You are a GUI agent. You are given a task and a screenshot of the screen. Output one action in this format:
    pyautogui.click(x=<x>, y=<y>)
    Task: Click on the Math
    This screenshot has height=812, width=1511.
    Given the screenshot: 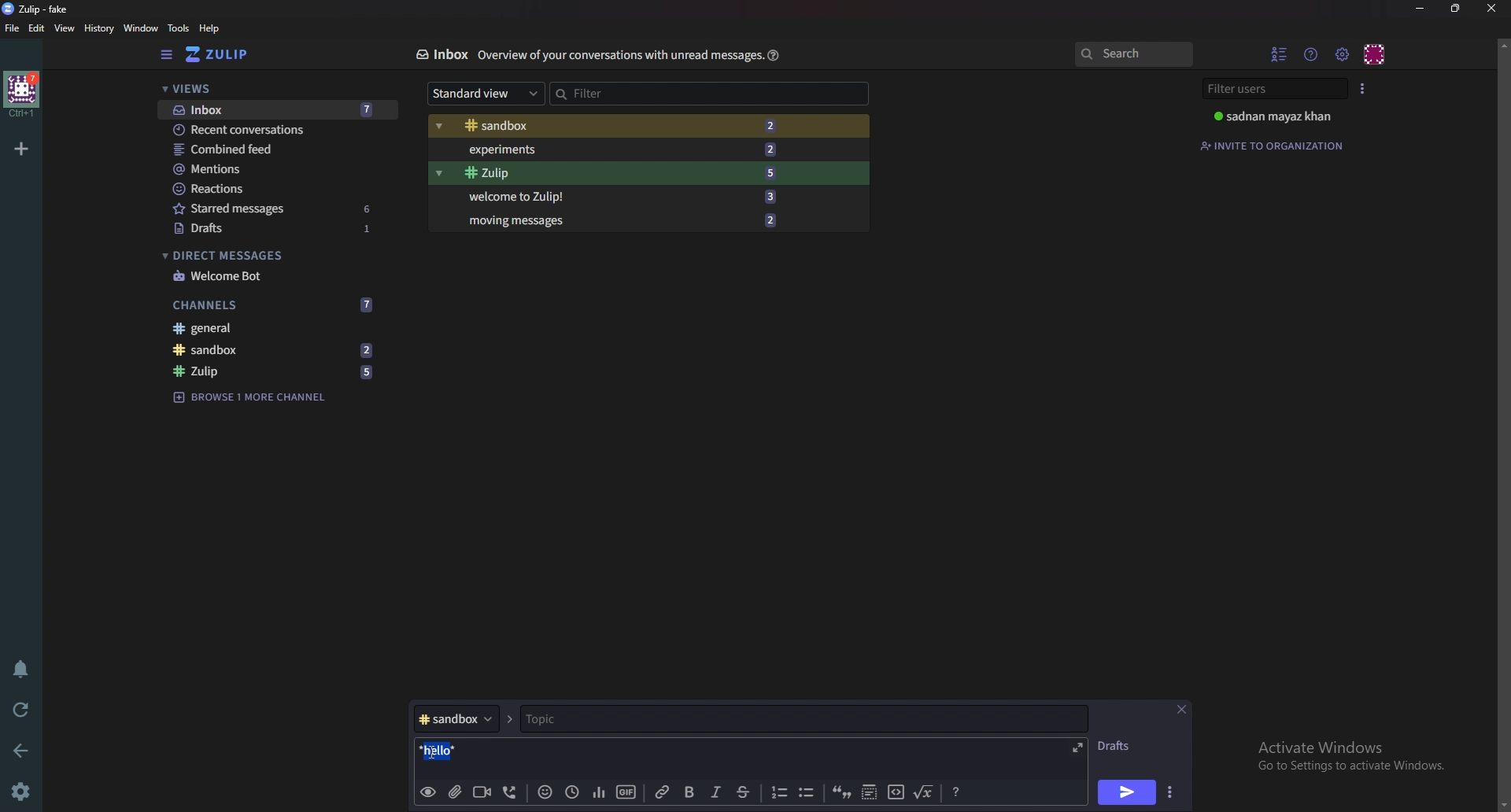 What is the action you would take?
    pyautogui.click(x=923, y=792)
    